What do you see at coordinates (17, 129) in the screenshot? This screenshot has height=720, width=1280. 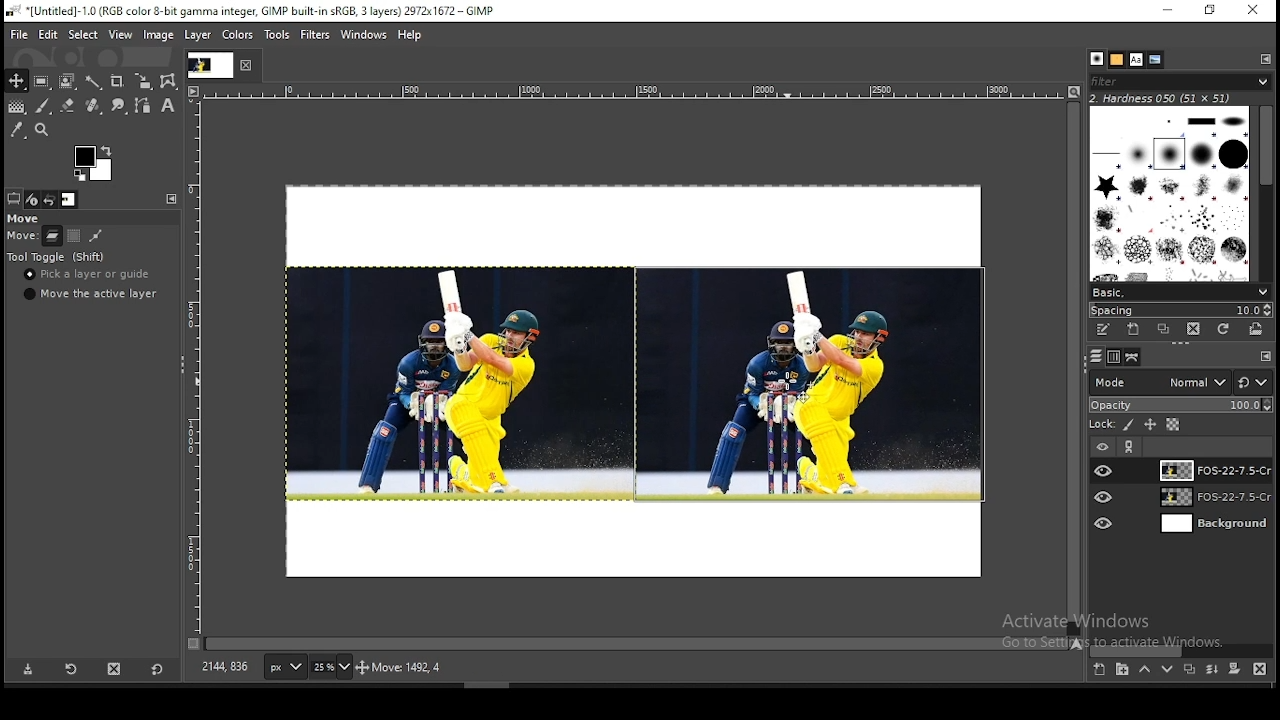 I see `color picker tool` at bounding box center [17, 129].